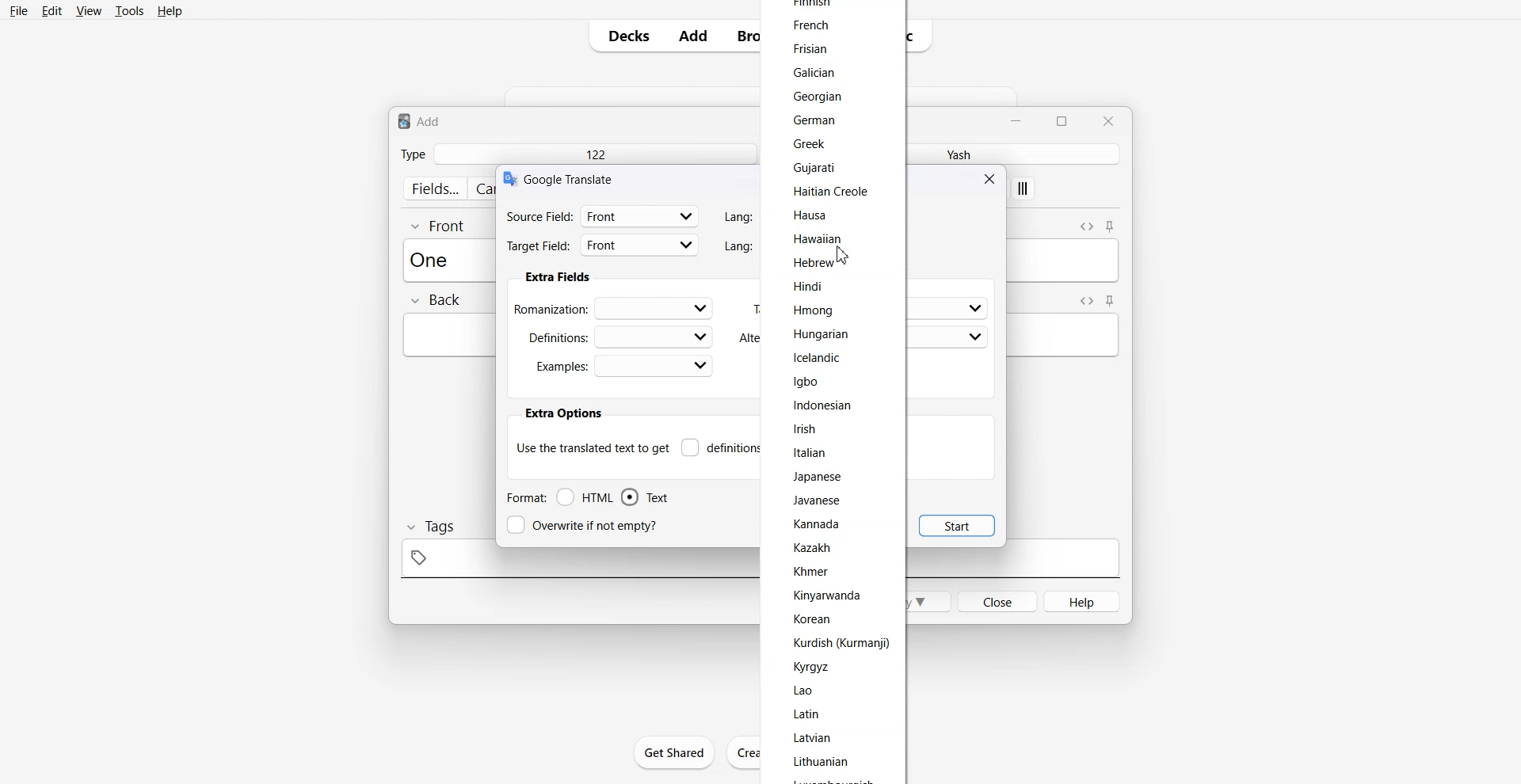 The height and width of the screenshot is (784, 1521). I want to click on Kurdish (Kurmanji), so click(840, 643).